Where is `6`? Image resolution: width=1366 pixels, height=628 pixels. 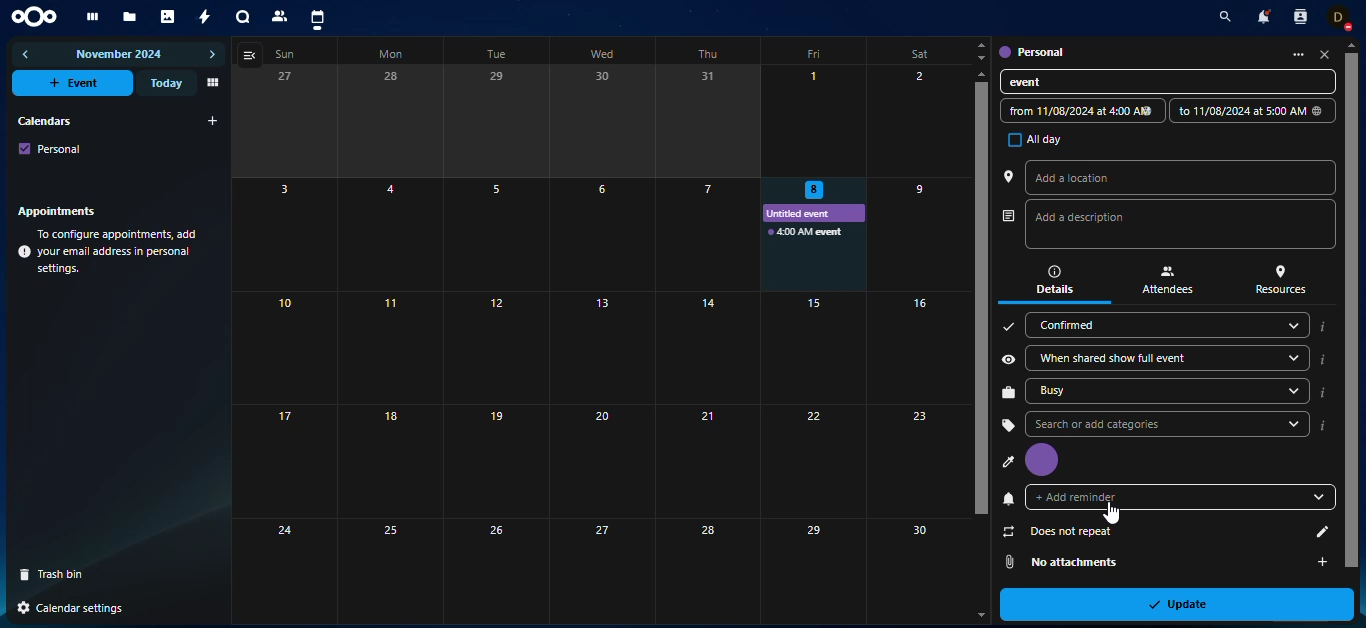
6 is located at coordinates (601, 233).